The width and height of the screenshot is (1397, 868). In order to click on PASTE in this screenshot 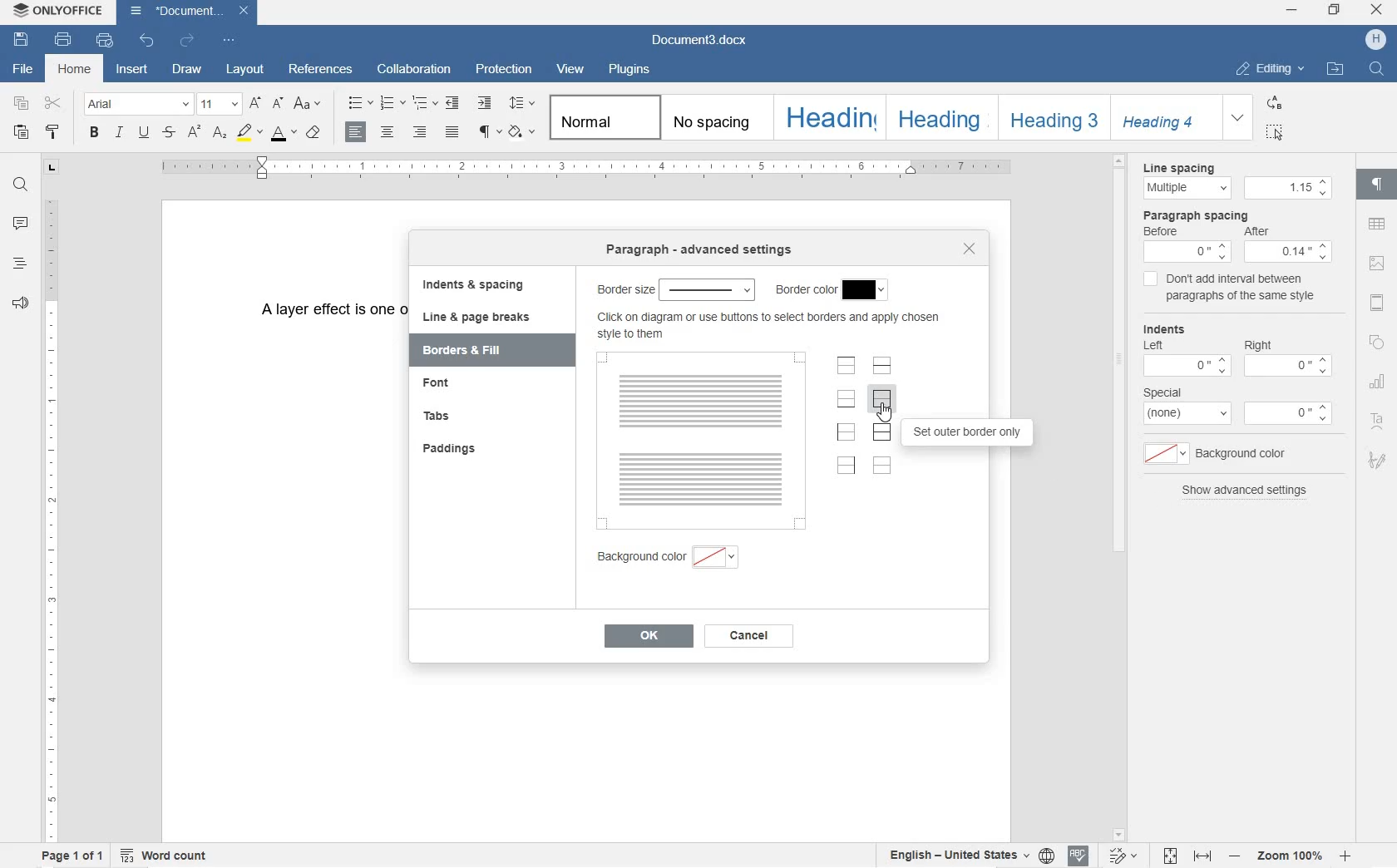, I will do `click(21, 132)`.